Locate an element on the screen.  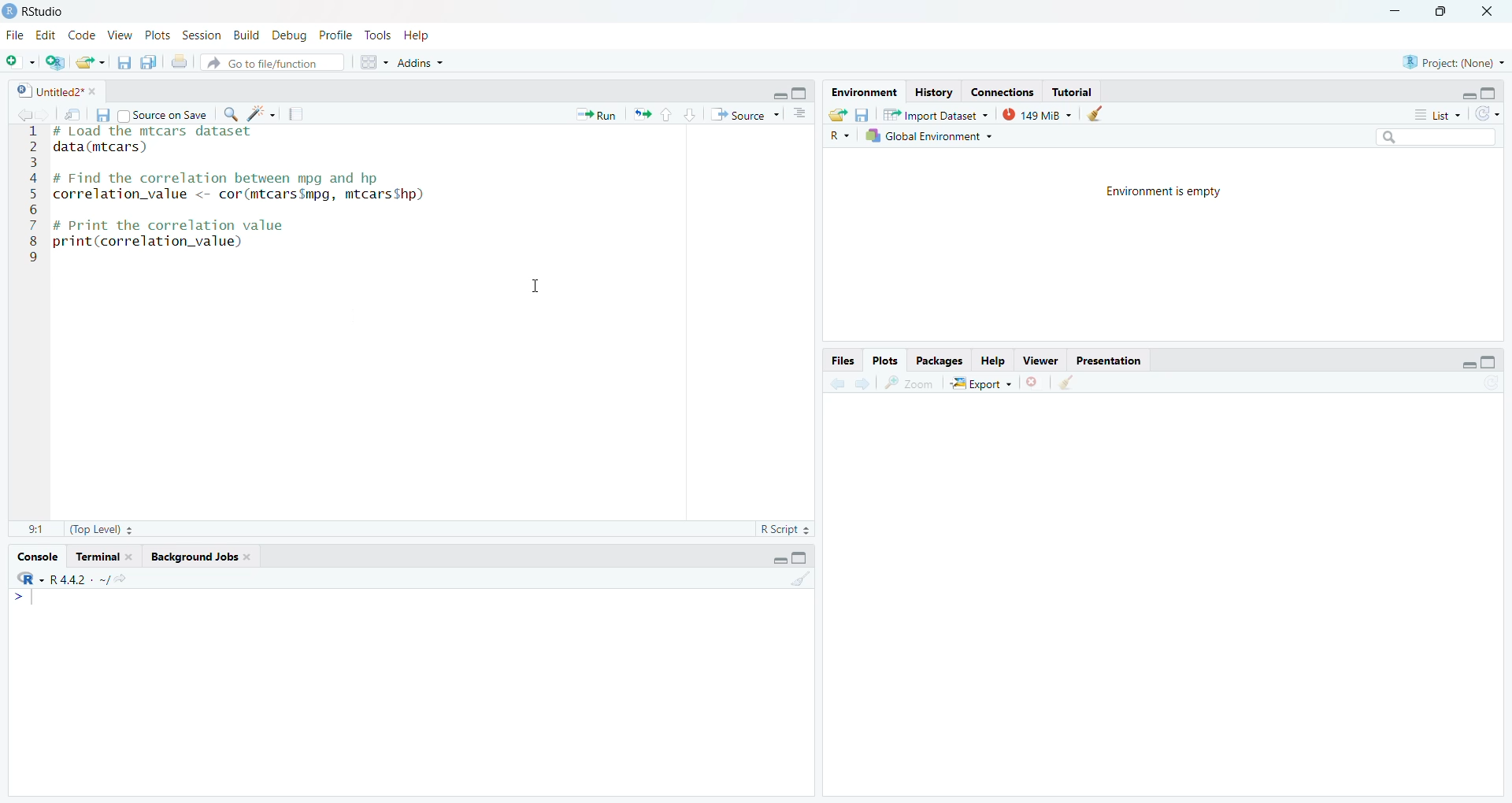
Show in new window is located at coordinates (74, 113).